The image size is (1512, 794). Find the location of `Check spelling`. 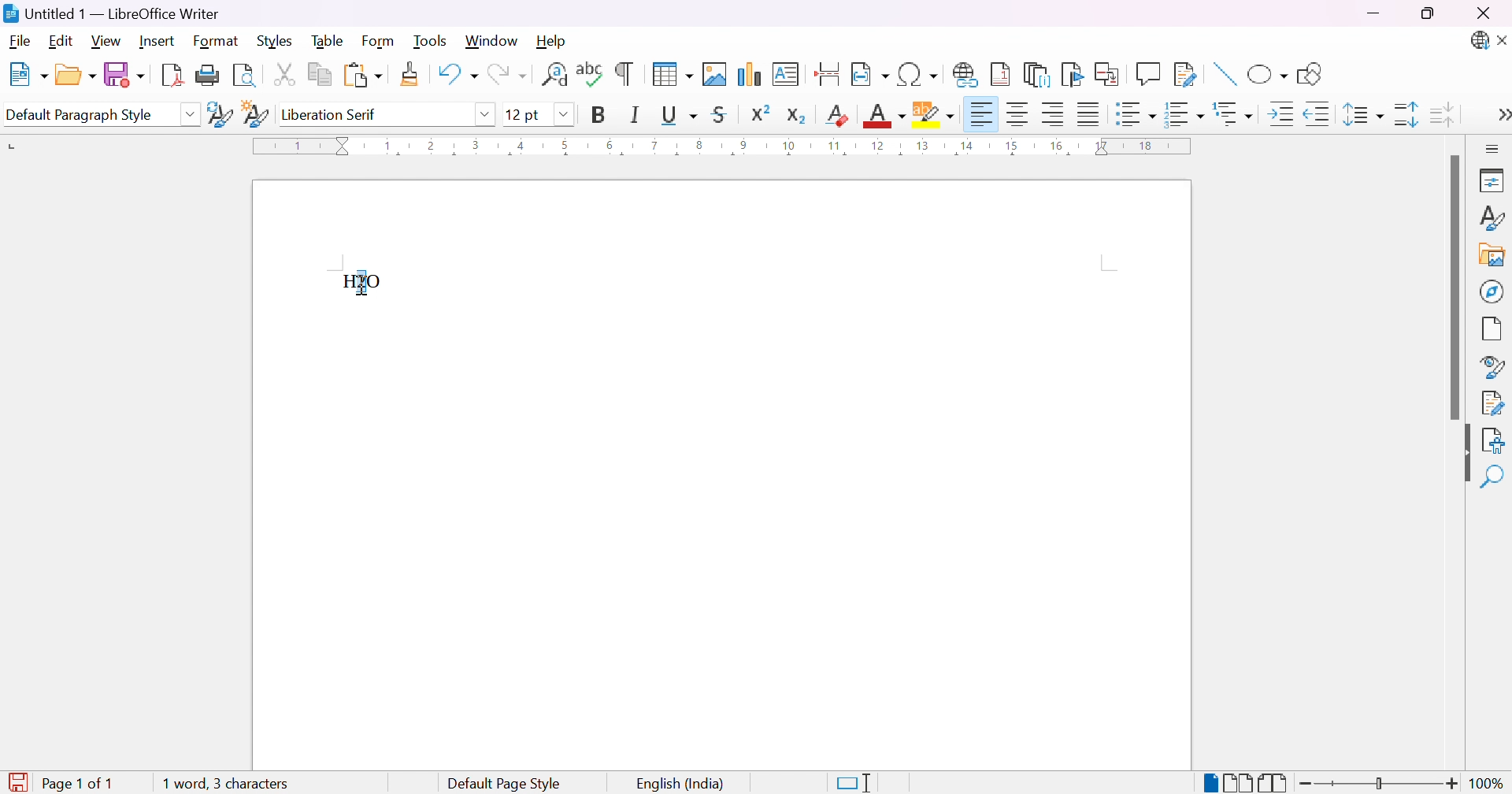

Check spelling is located at coordinates (591, 74).